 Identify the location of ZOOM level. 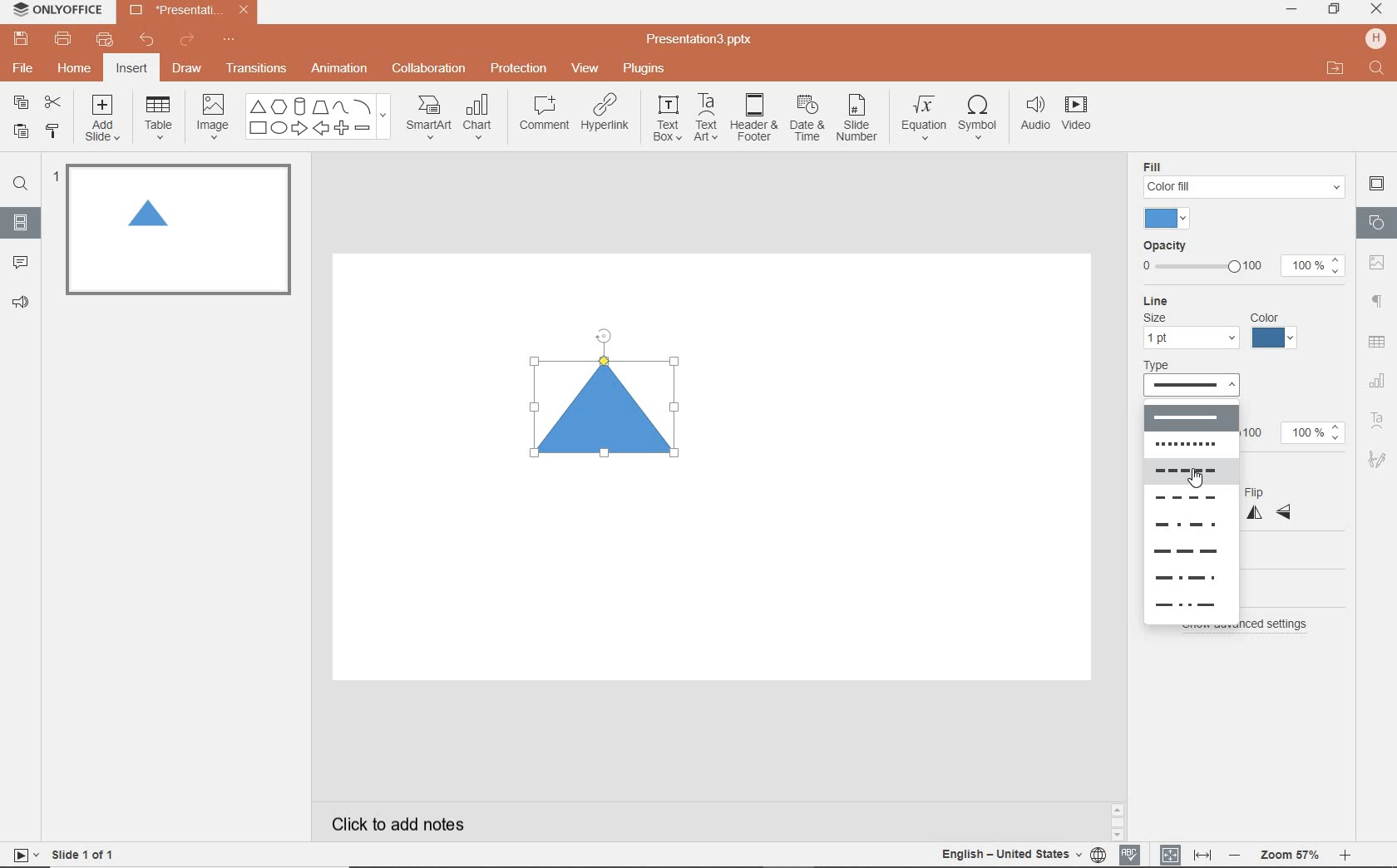
(1291, 856).